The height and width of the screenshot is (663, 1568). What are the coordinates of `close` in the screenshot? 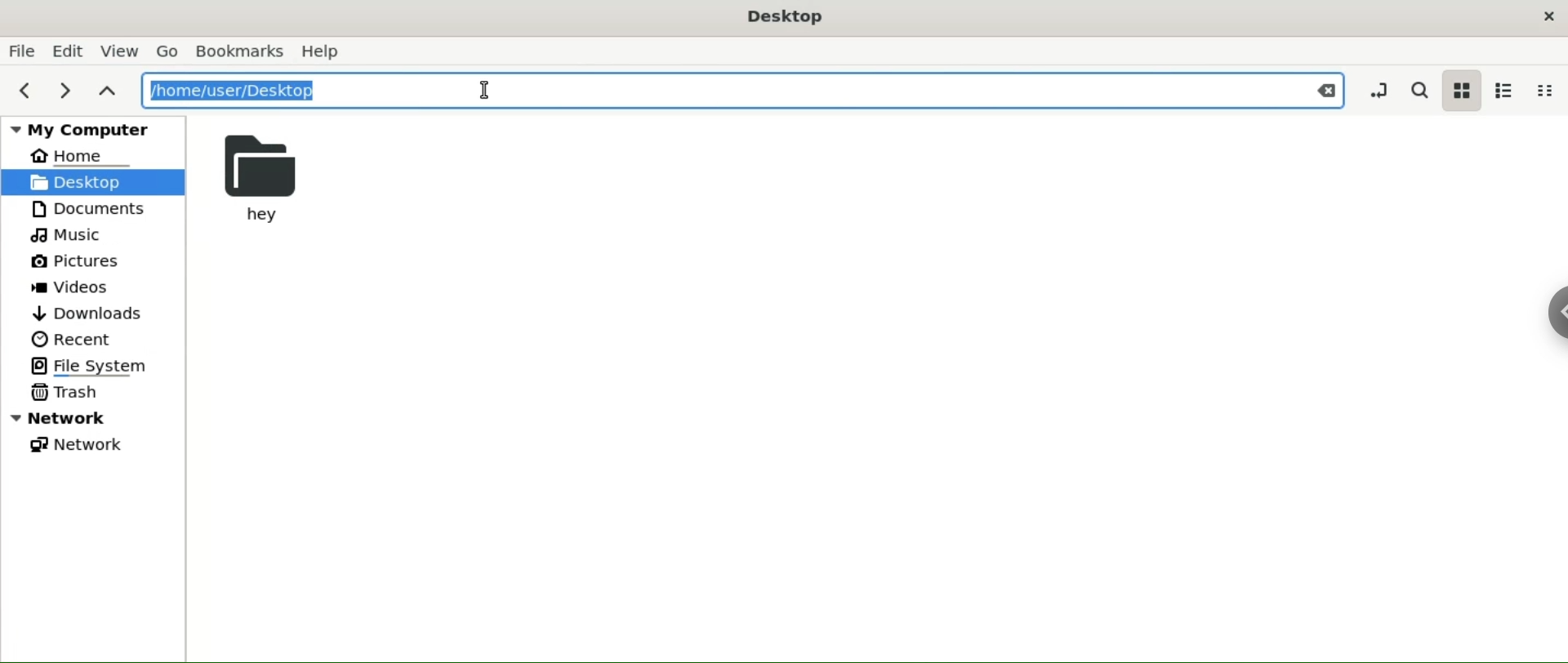 It's located at (1550, 16).